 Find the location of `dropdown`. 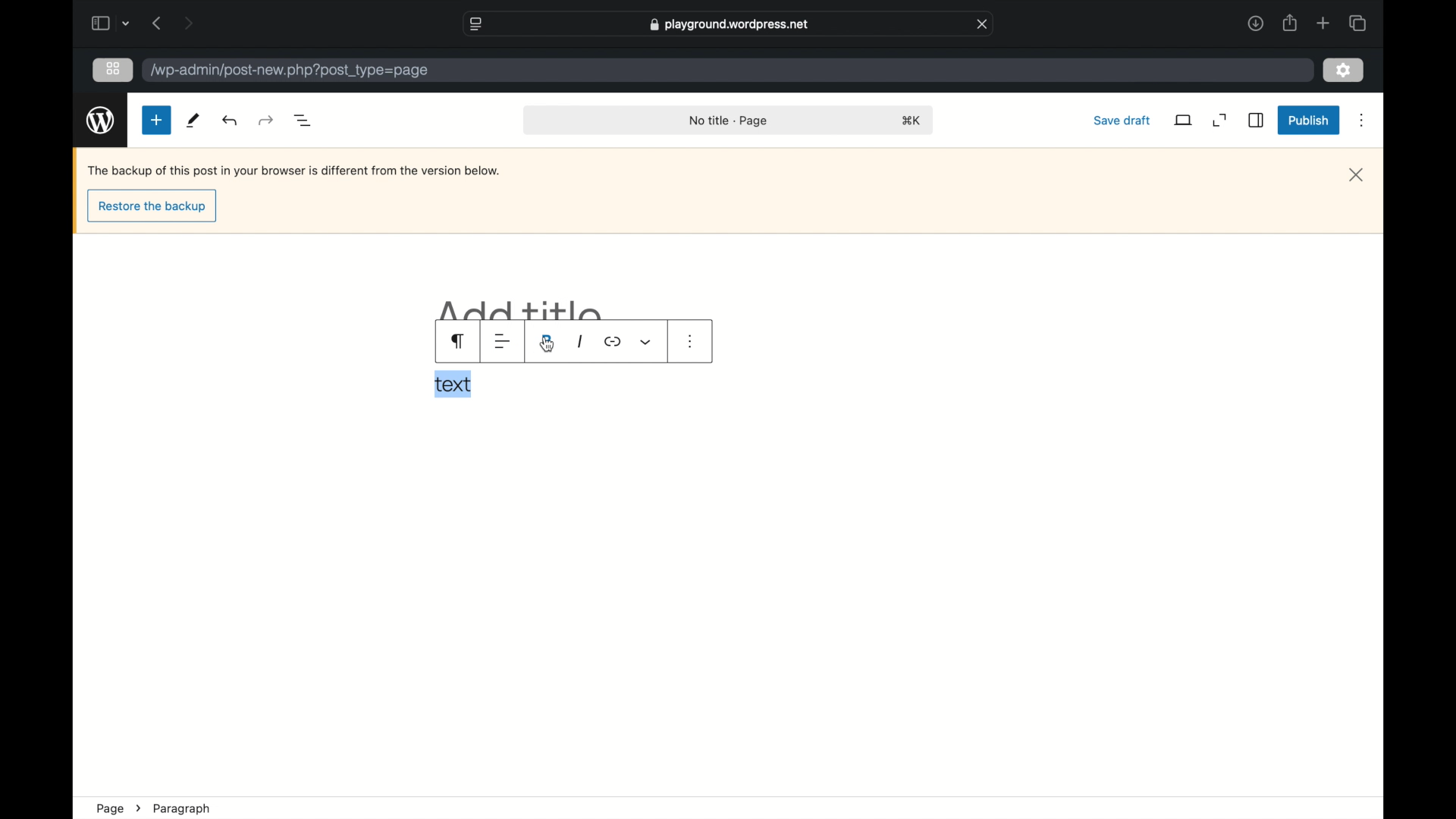

dropdown is located at coordinates (646, 342).